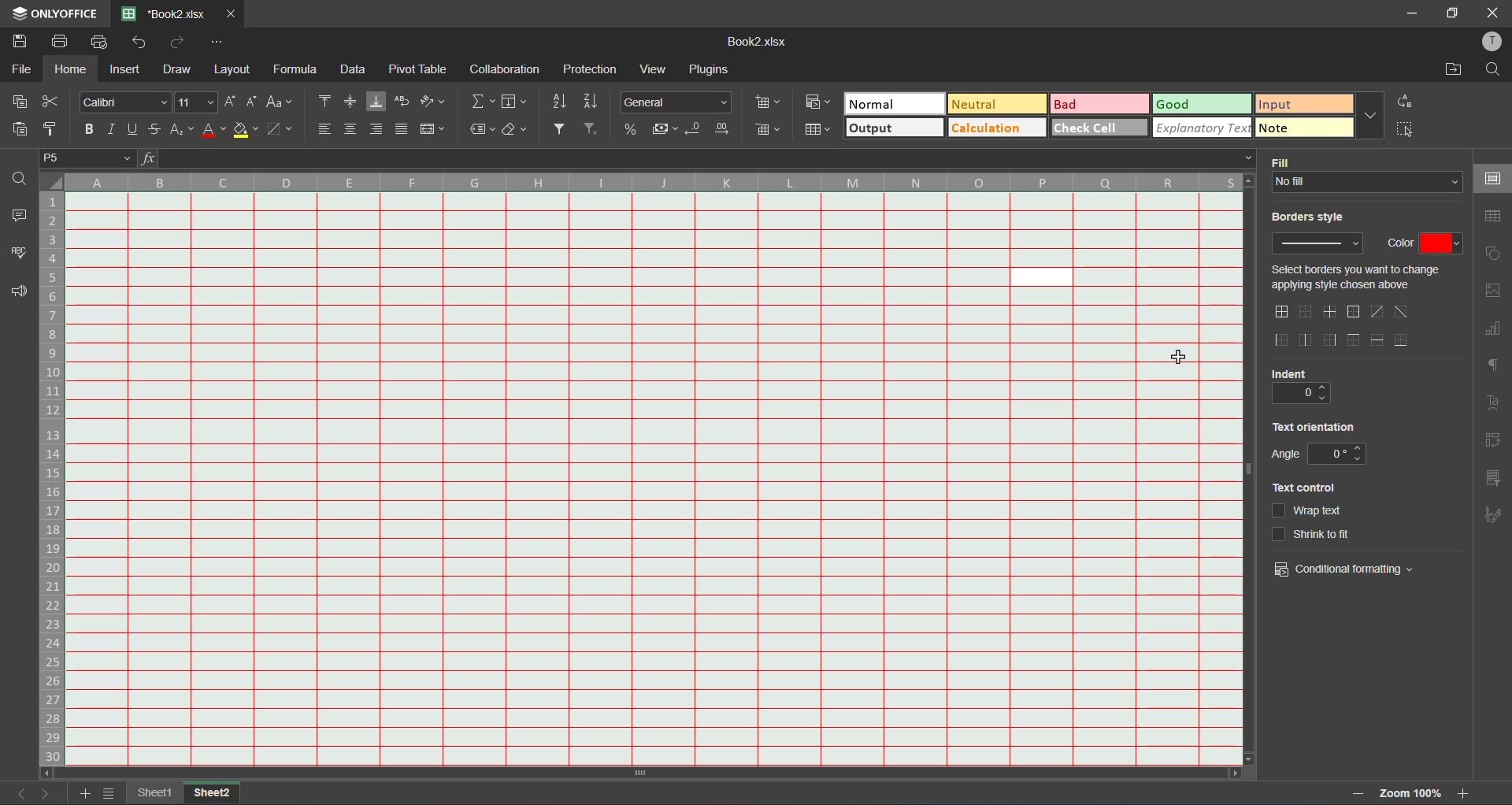 The image size is (1512, 805). What do you see at coordinates (1354, 312) in the screenshot?
I see `outer borders only` at bounding box center [1354, 312].